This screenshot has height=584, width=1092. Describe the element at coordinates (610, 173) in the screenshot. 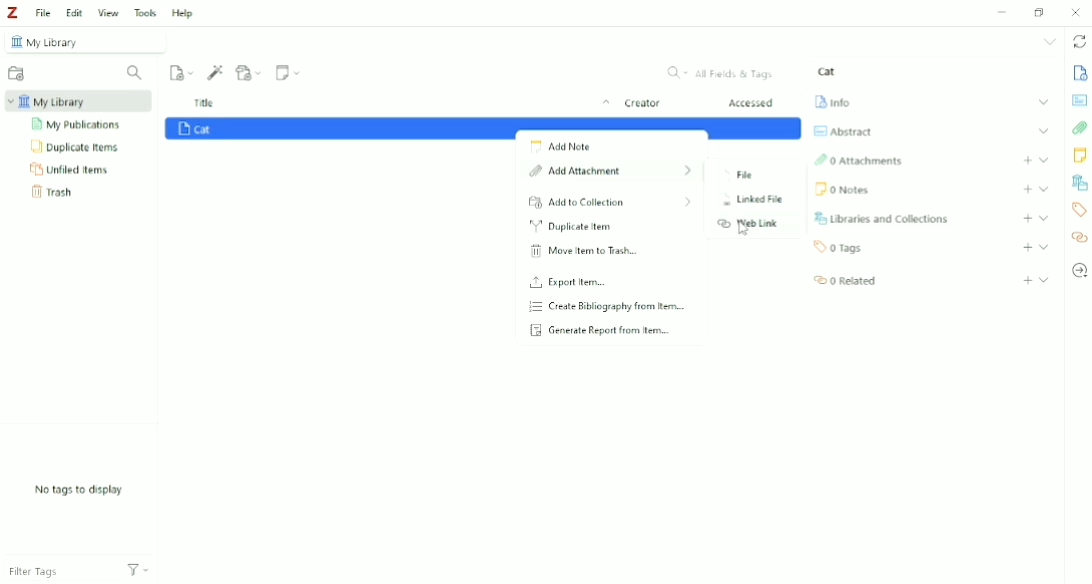

I see `Add Attachment` at that location.